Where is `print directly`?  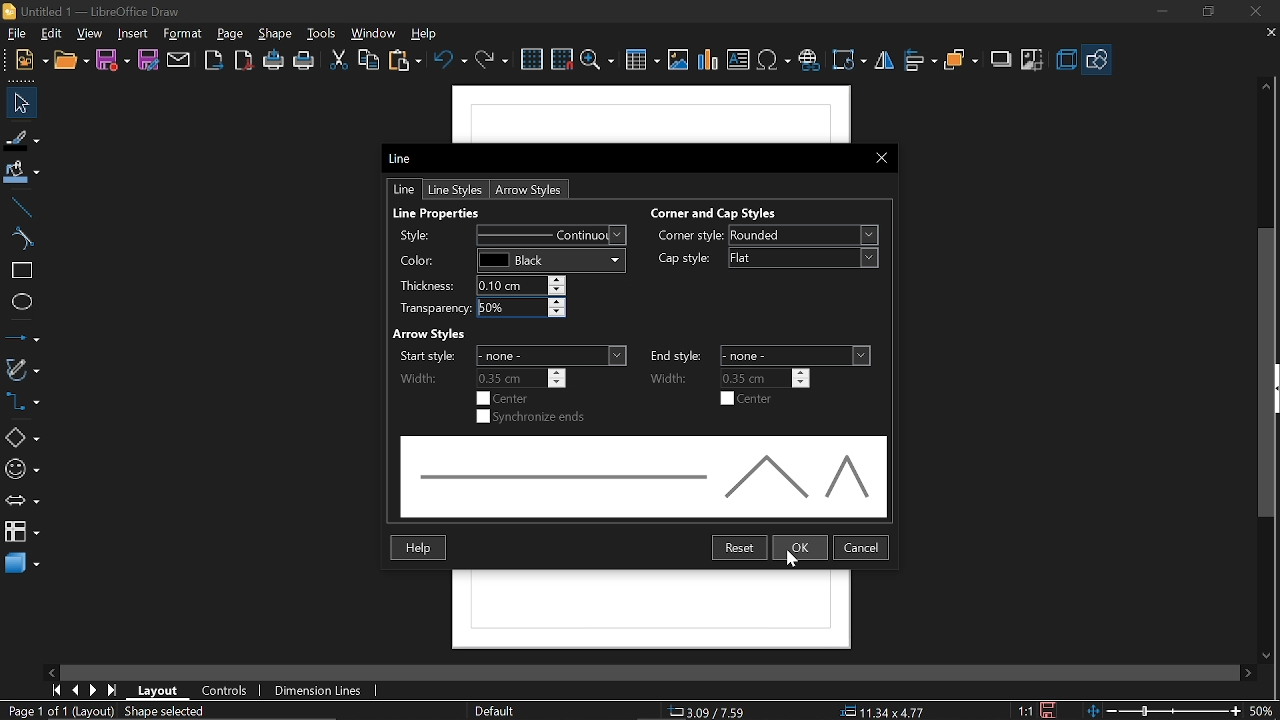
print directly is located at coordinates (272, 59).